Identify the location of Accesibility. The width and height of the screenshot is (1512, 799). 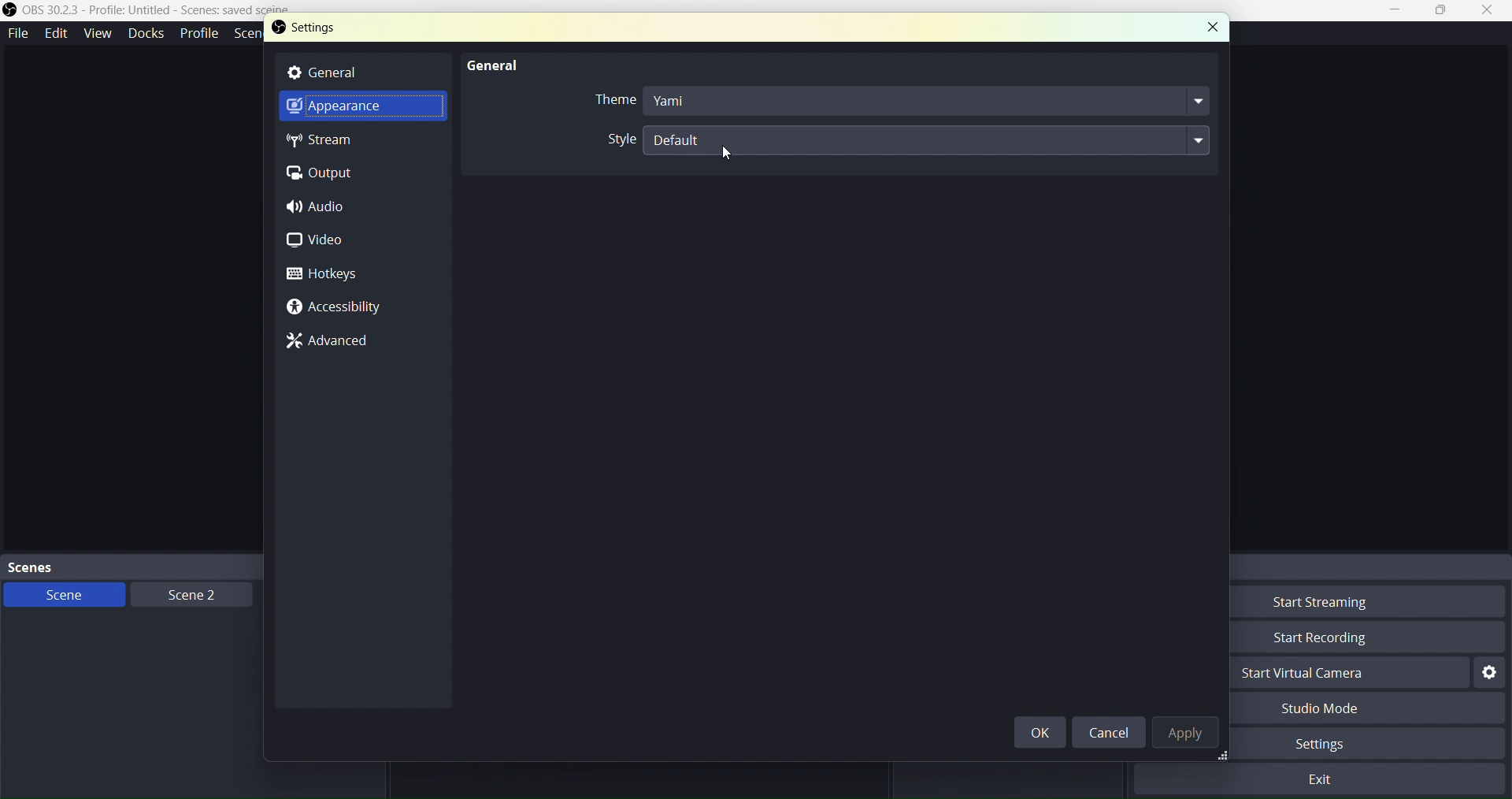
(335, 307).